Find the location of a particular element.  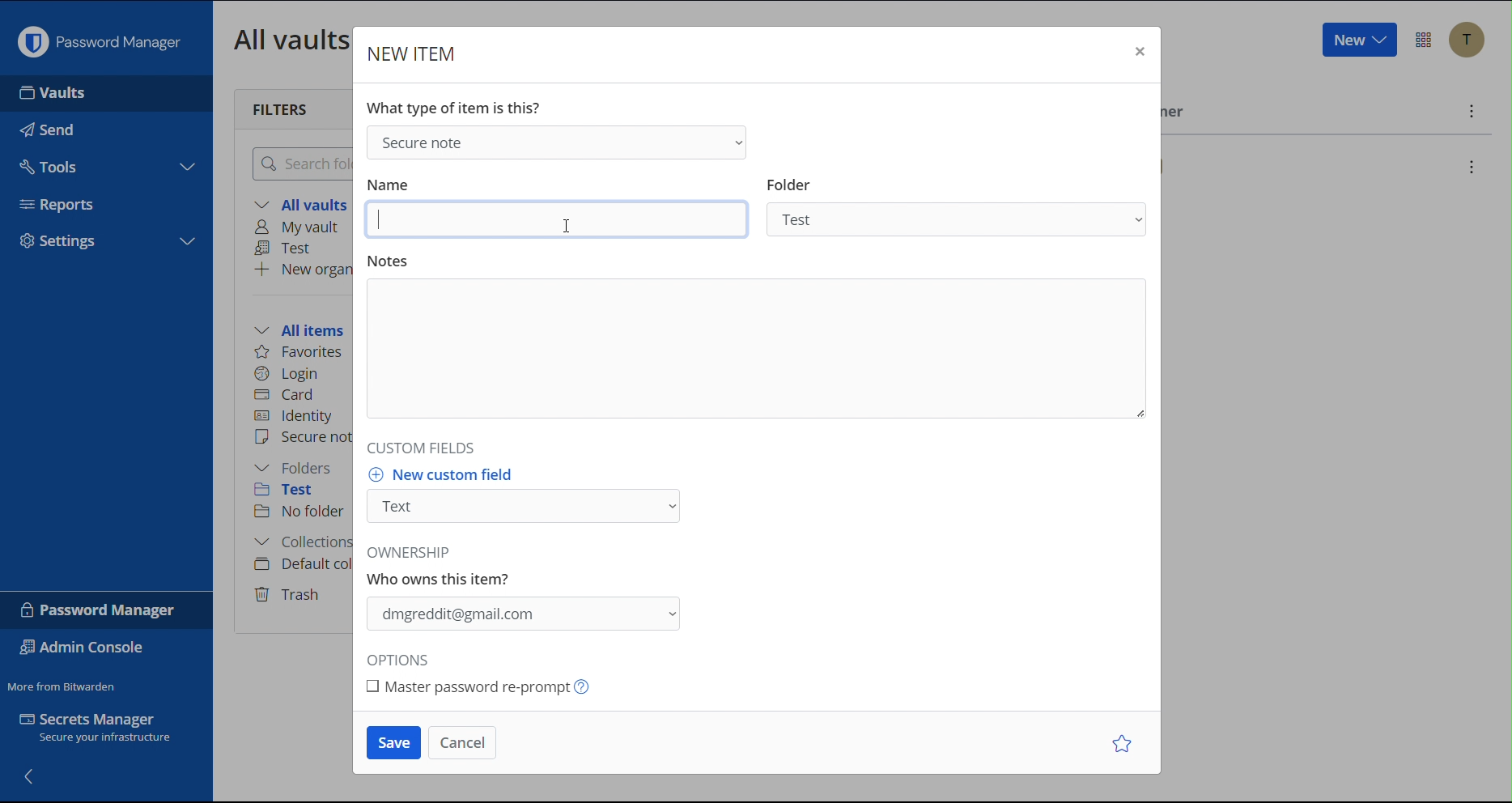

Search Folder is located at coordinates (298, 163).